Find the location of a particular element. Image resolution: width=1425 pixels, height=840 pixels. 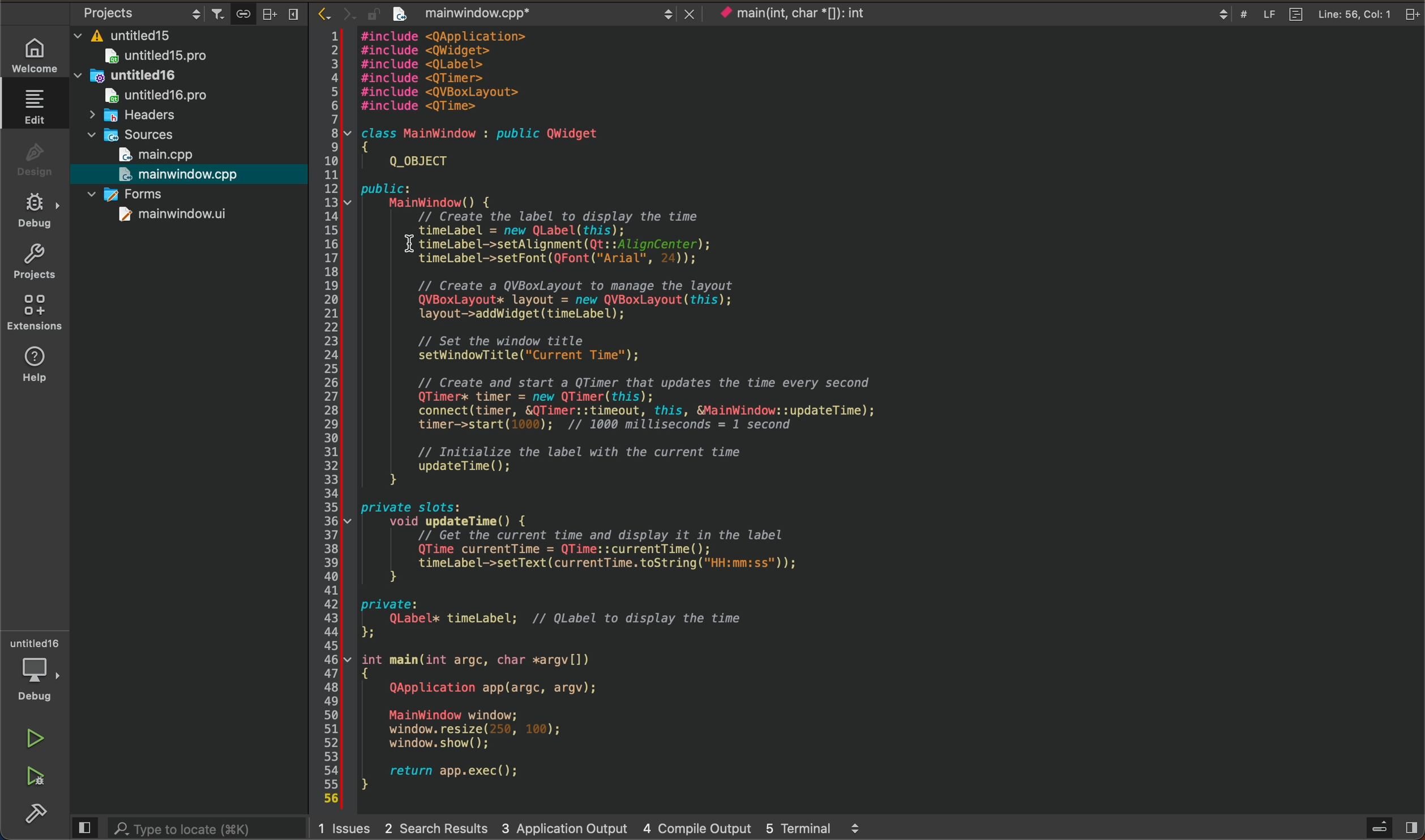

edit is located at coordinates (35, 106).